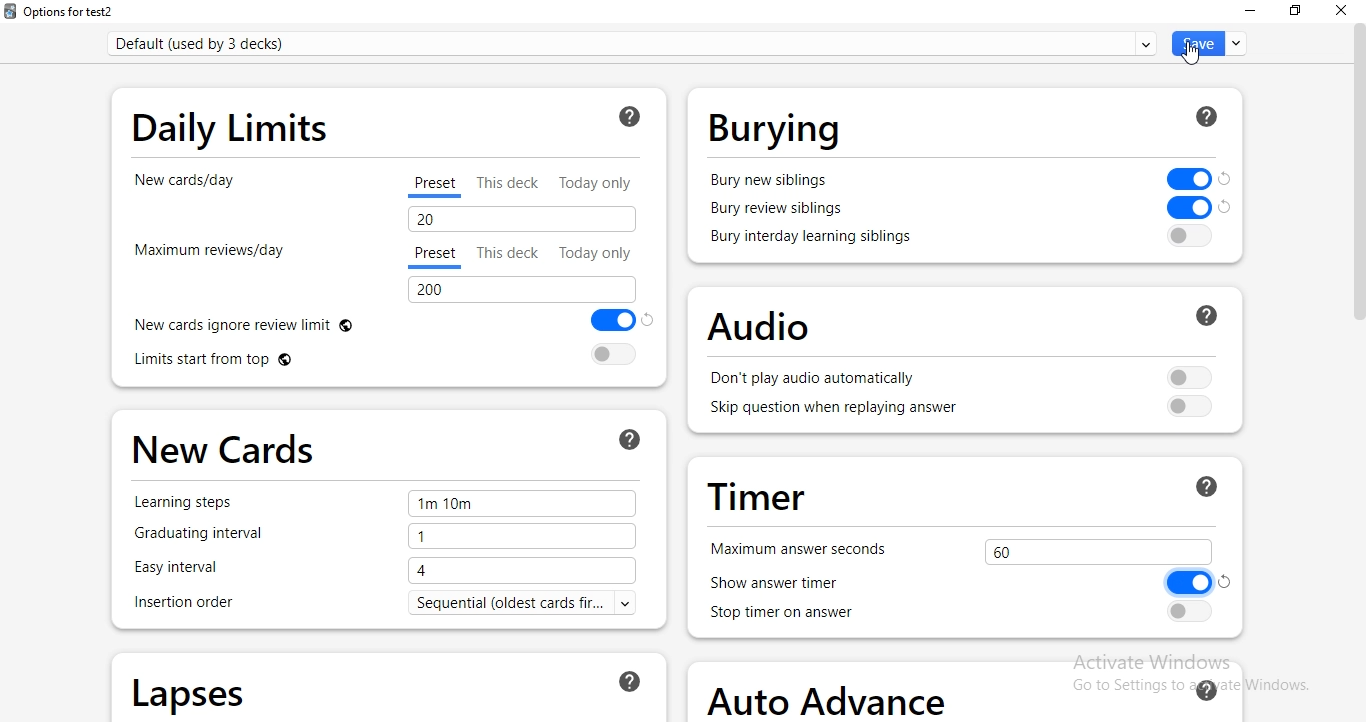  I want to click on burying, so click(957, 123).